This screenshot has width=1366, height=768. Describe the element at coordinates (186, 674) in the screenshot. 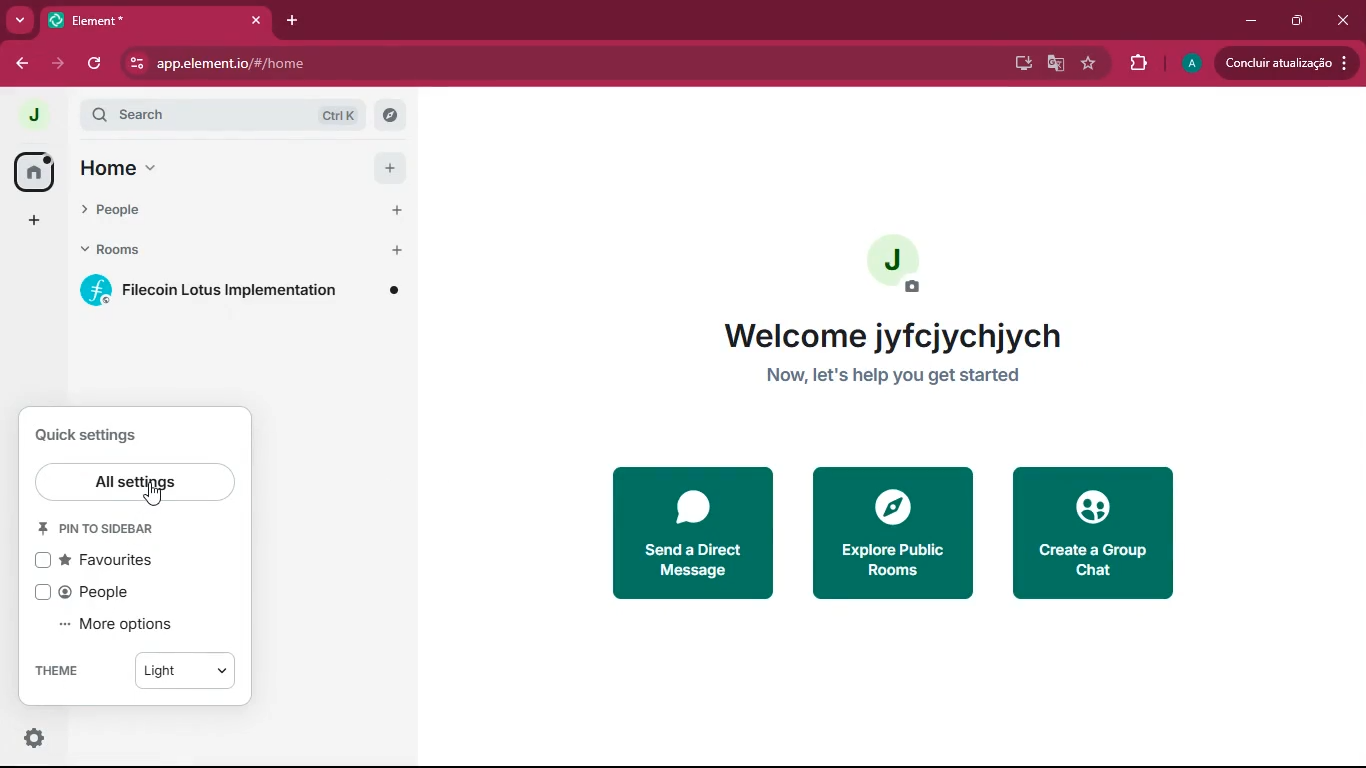

I see `Light` at that location.